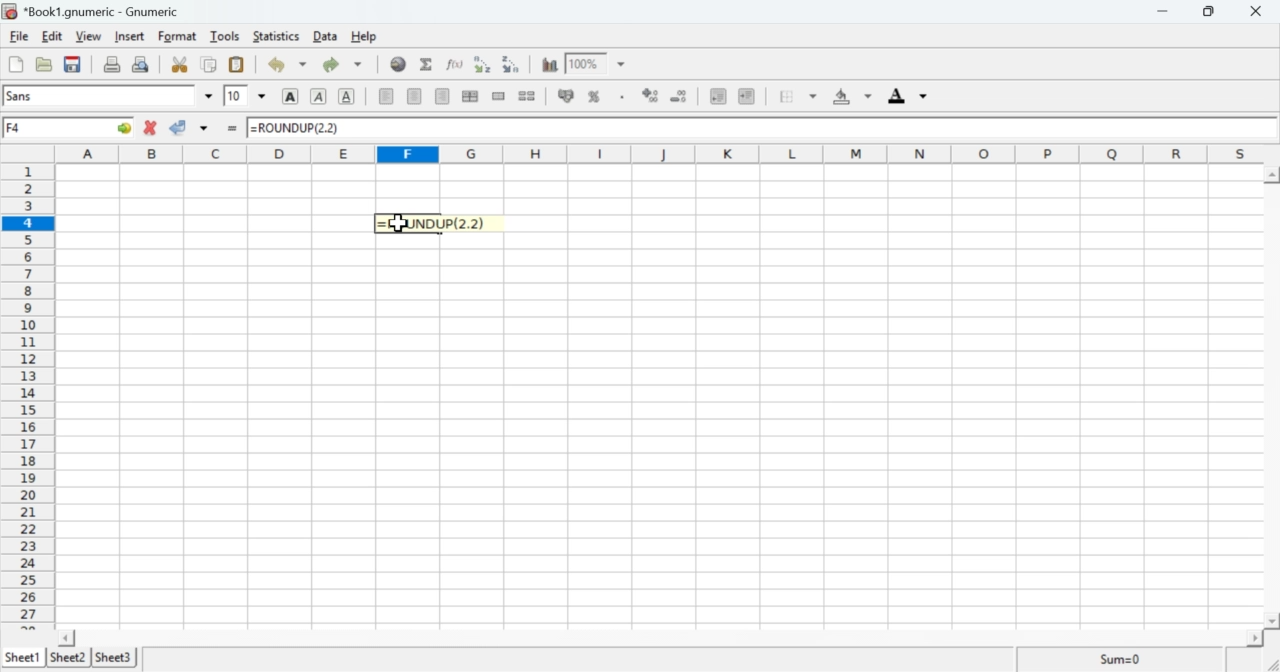  What do you see at coordinates (347, 97) in the screenshot?
I see `Underline` at bounding box center [347, 97].